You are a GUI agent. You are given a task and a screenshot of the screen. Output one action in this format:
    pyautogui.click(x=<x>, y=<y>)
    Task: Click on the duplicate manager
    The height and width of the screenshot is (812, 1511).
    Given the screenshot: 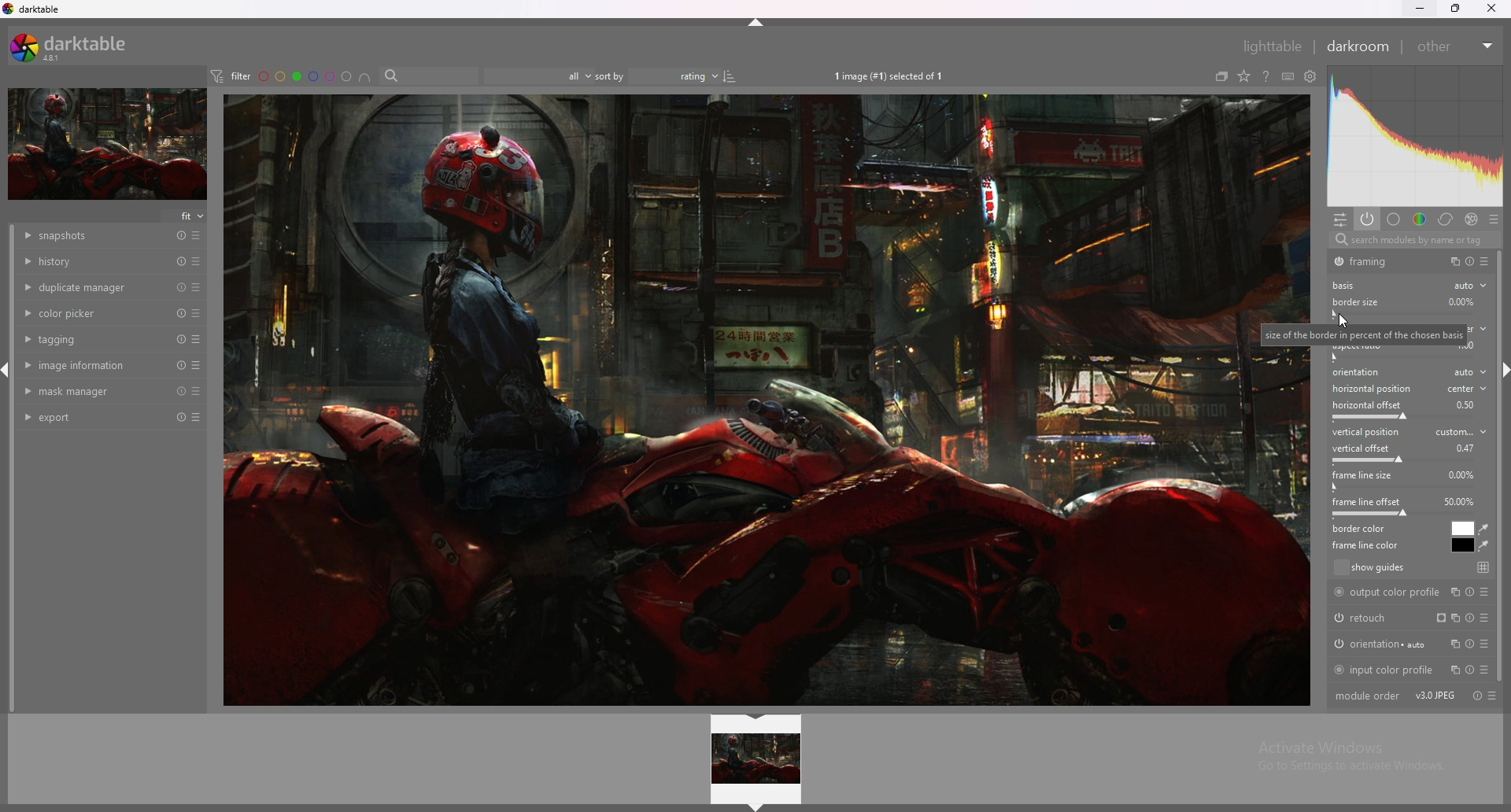 What is the action you would take?
    pyautogui.click(x=94, y=286)
    